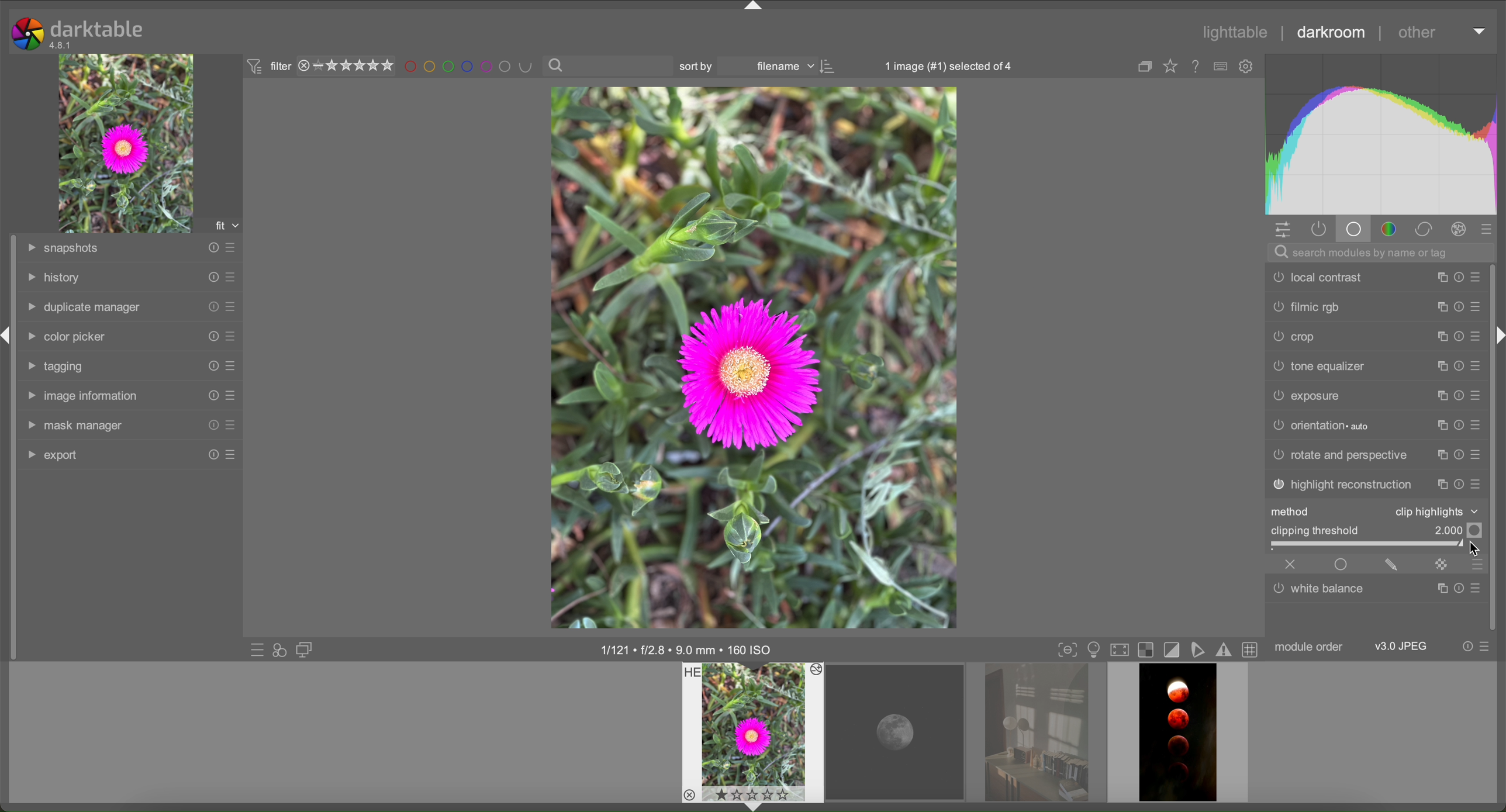 The image size is (1506, 812). Describe the element at coordinates (231, 247) in the screenshot. I see `presets` at that location.